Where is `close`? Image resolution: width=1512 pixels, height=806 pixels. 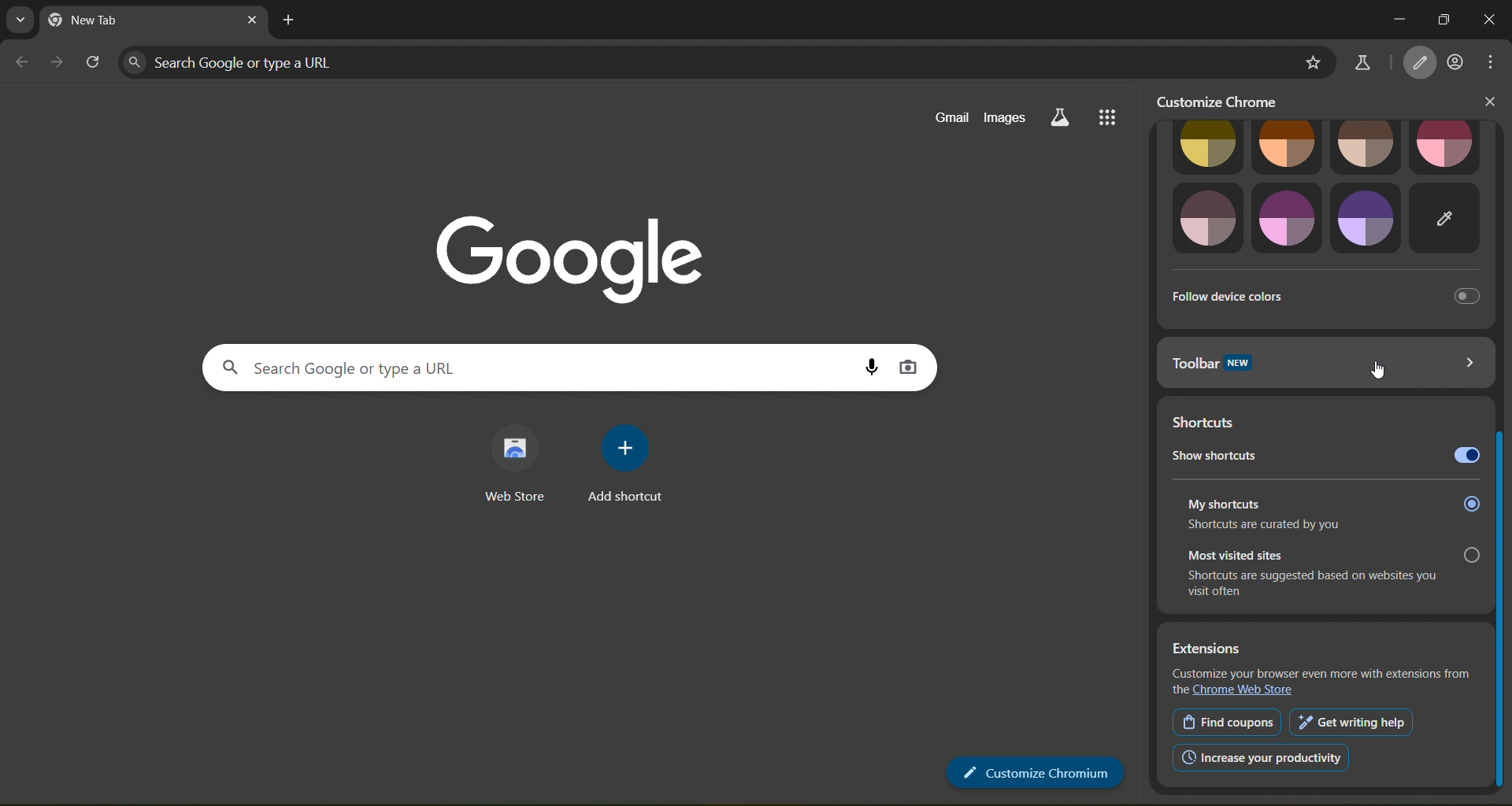 close is located at coordinates (1490, 102).